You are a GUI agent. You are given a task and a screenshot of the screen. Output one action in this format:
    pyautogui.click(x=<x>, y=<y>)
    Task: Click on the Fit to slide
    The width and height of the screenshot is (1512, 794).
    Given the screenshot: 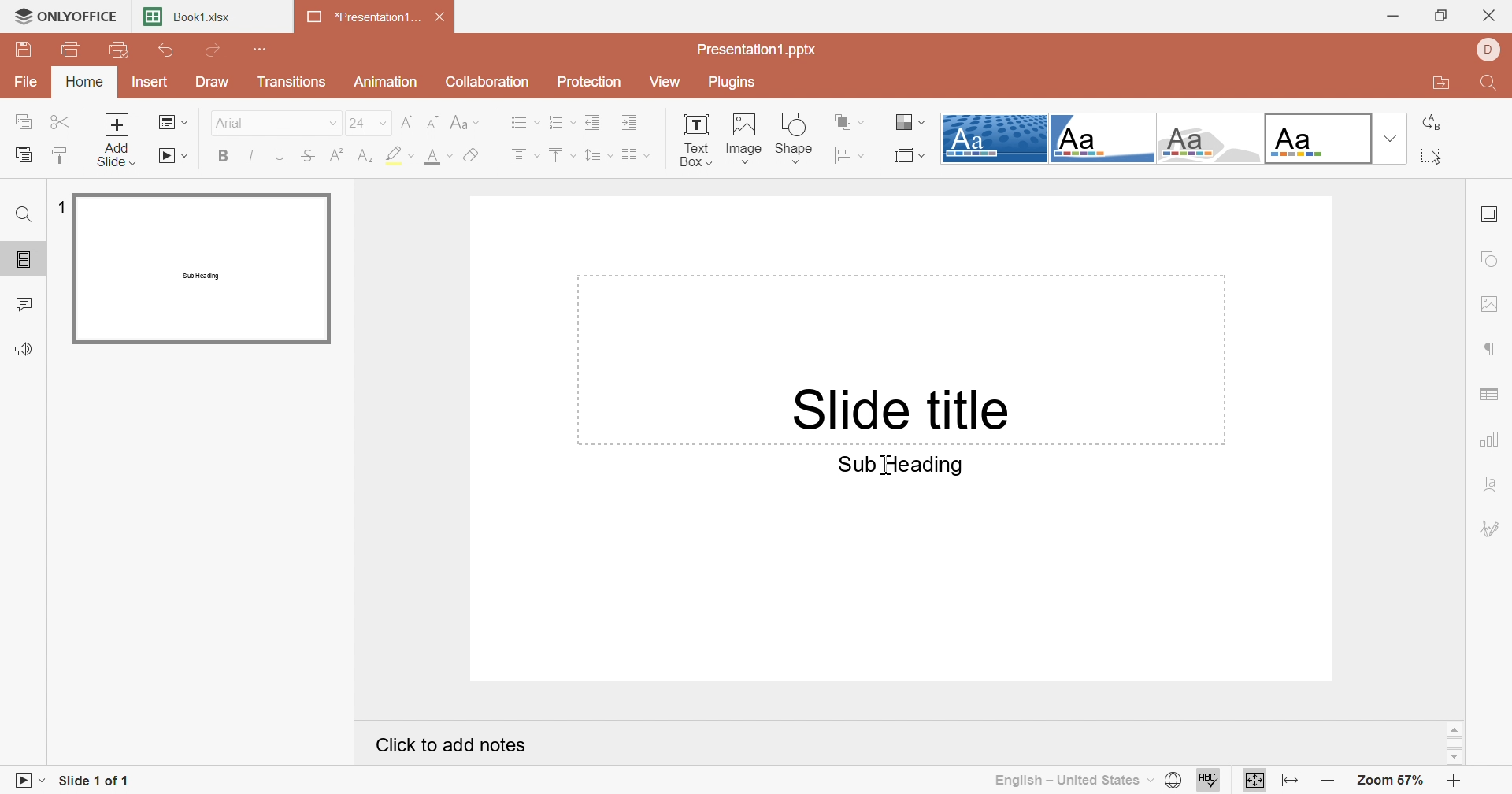 What is the action you would take?
    pyautogui.click(x=1255, y=779)
    